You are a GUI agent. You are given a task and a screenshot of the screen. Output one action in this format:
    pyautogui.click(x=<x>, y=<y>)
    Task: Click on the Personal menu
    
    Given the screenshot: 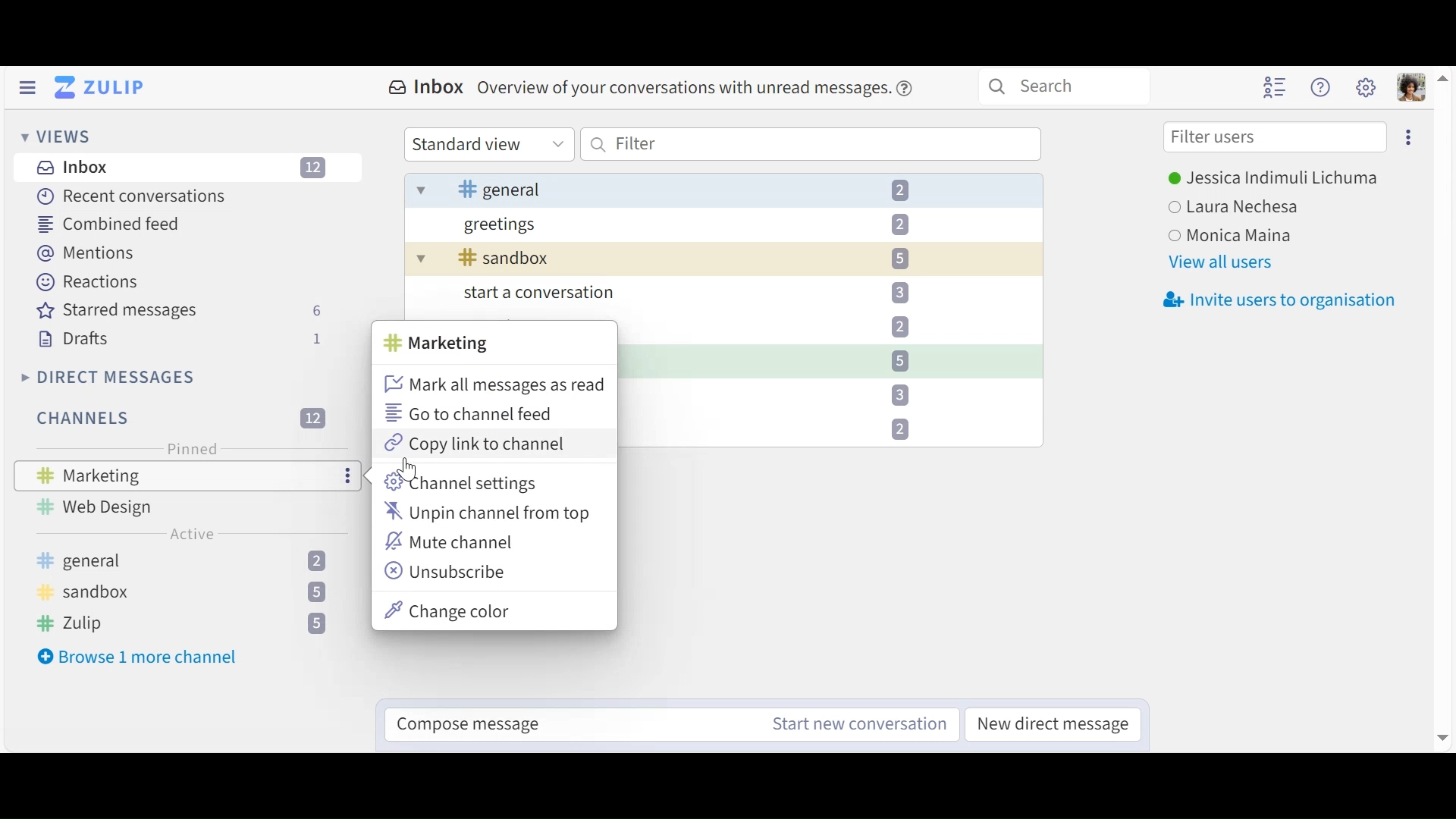 What is the action you would take?
    pyautogui.click(x=1413, y=89)
    